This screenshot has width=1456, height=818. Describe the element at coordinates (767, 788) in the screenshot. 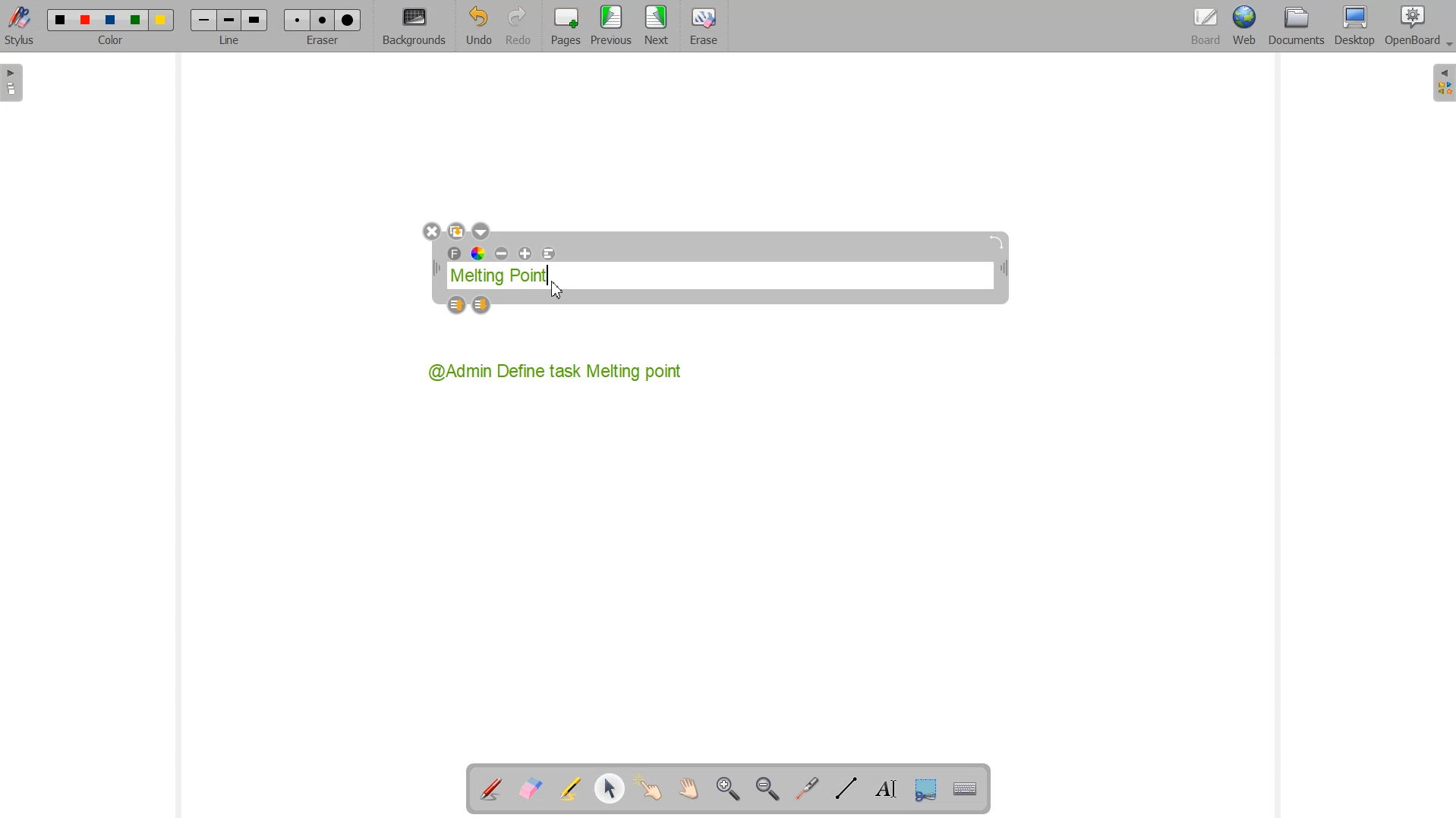

I see `Zoom Out` at that location.